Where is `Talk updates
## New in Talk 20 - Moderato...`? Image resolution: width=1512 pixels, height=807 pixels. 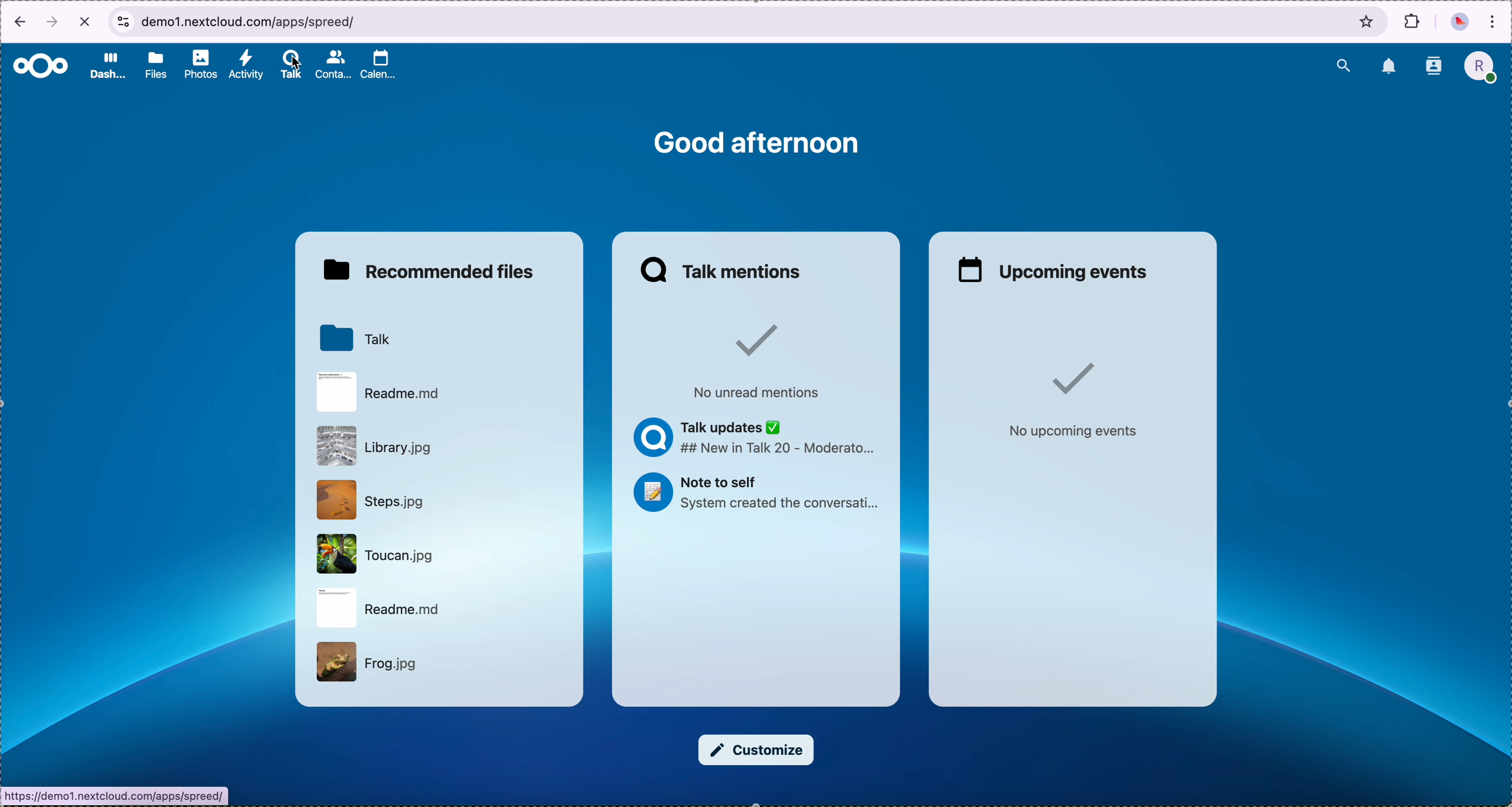 Talk updates
## New in Talk 20 - Moderato... is located at coordinates (753, 440).